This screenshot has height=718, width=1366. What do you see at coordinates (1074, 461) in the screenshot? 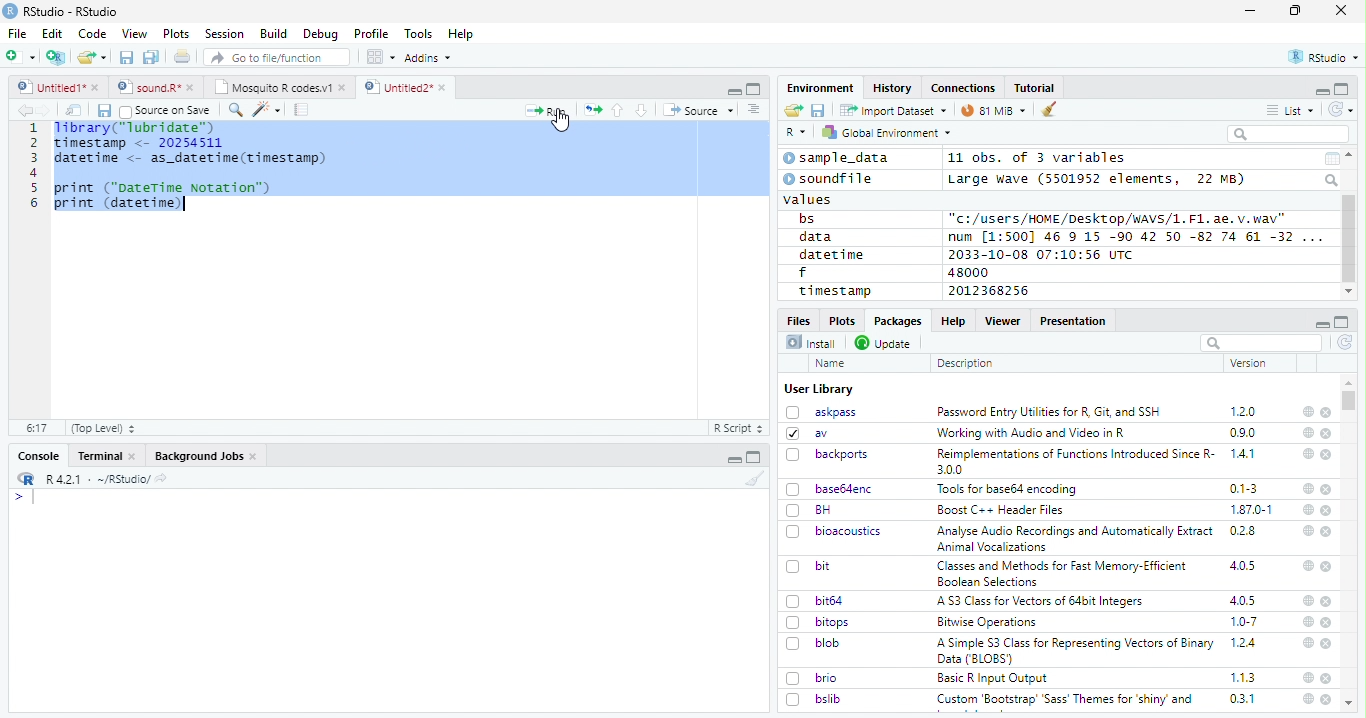
I see `Reimplementations of Functions Introduced Since R-
300` at bounding box center [1074, 461].